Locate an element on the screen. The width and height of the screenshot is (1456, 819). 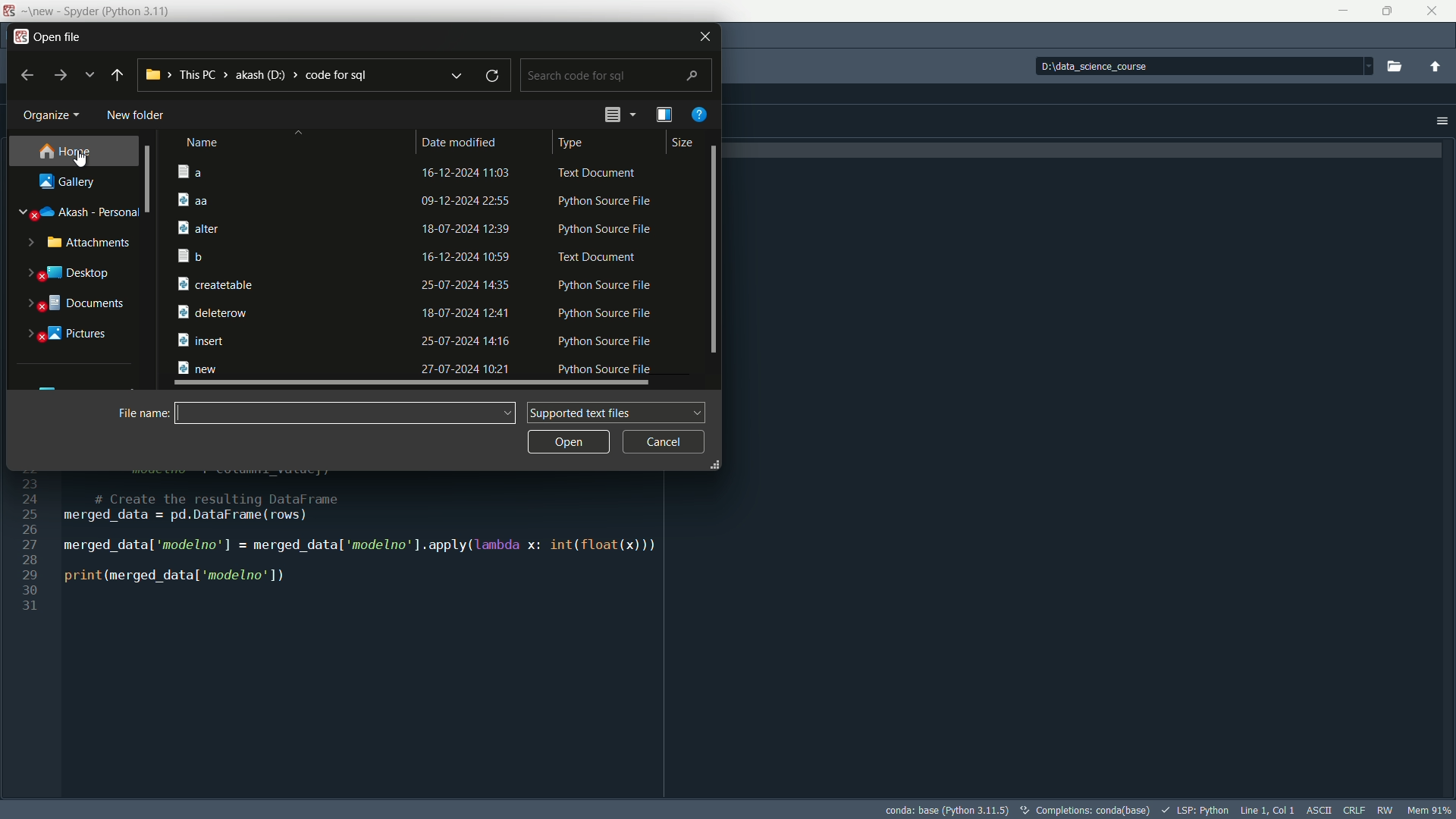
file type is located at coordinates (607, 368).